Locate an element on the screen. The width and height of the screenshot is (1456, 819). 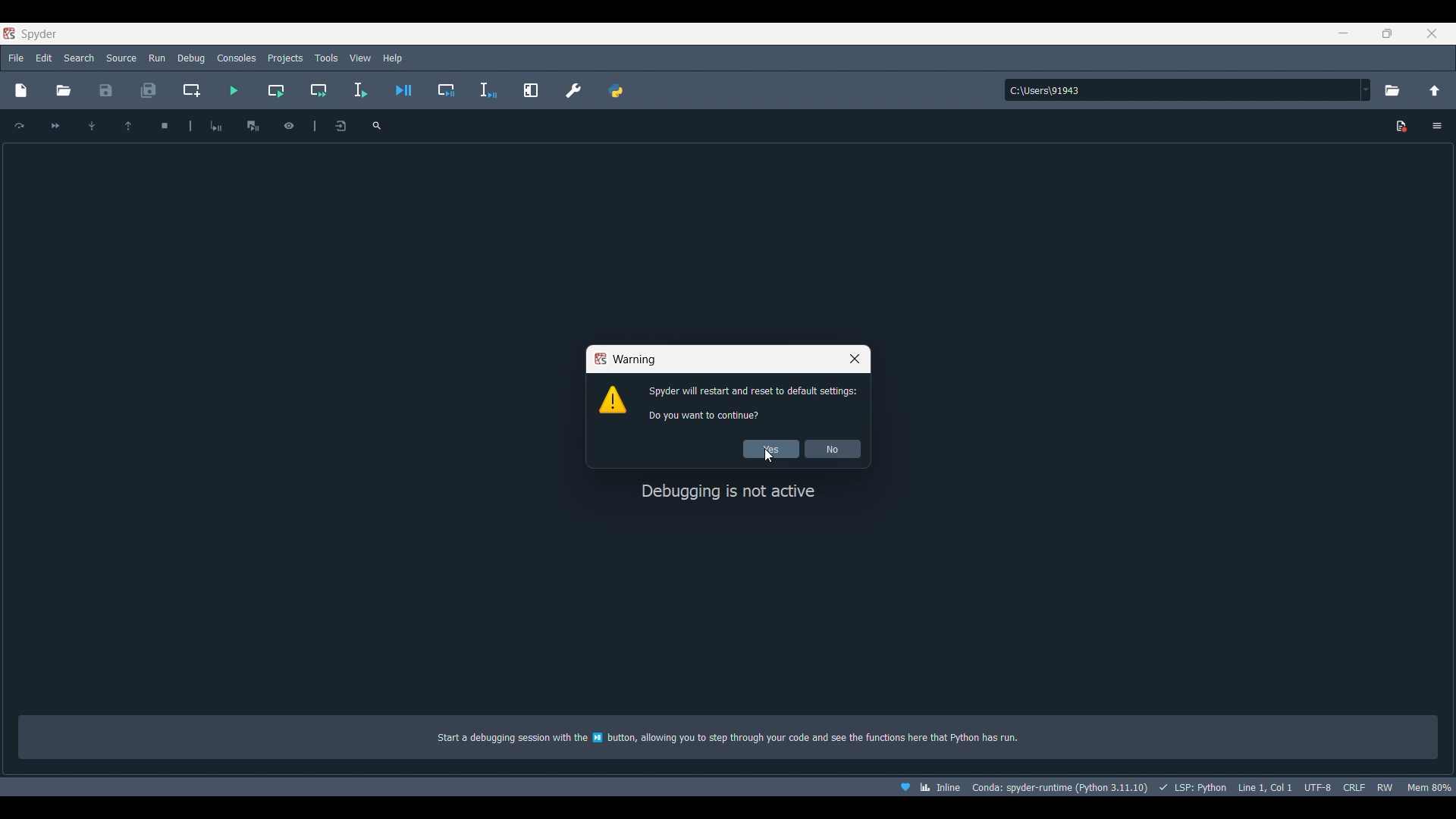
Software logo and name is located at coordinates (31, 33).